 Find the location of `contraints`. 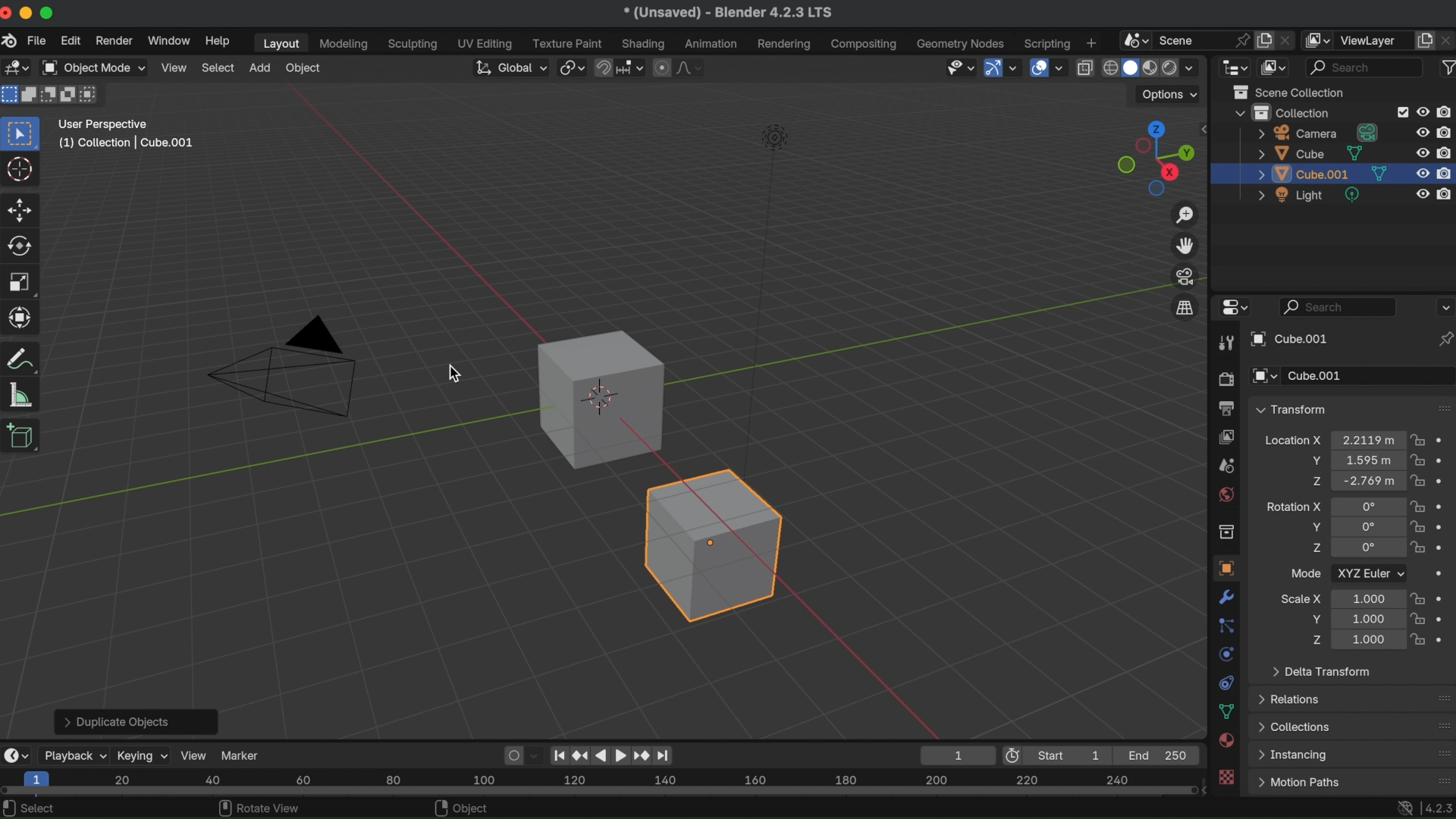

contraints is located at coordinates (1225, 681).